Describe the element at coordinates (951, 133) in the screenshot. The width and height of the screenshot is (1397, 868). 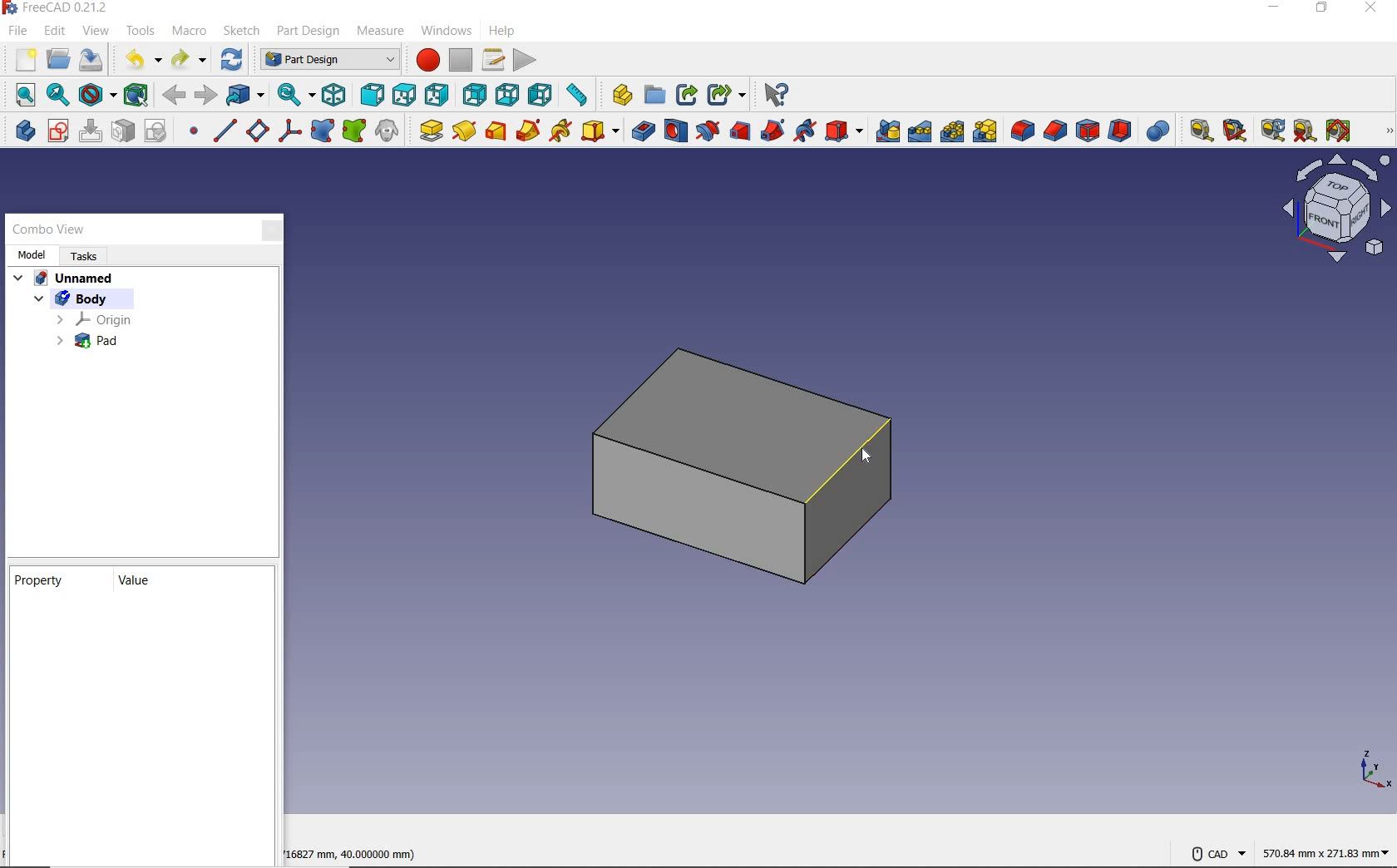
I see `pollarpattern` at that location.